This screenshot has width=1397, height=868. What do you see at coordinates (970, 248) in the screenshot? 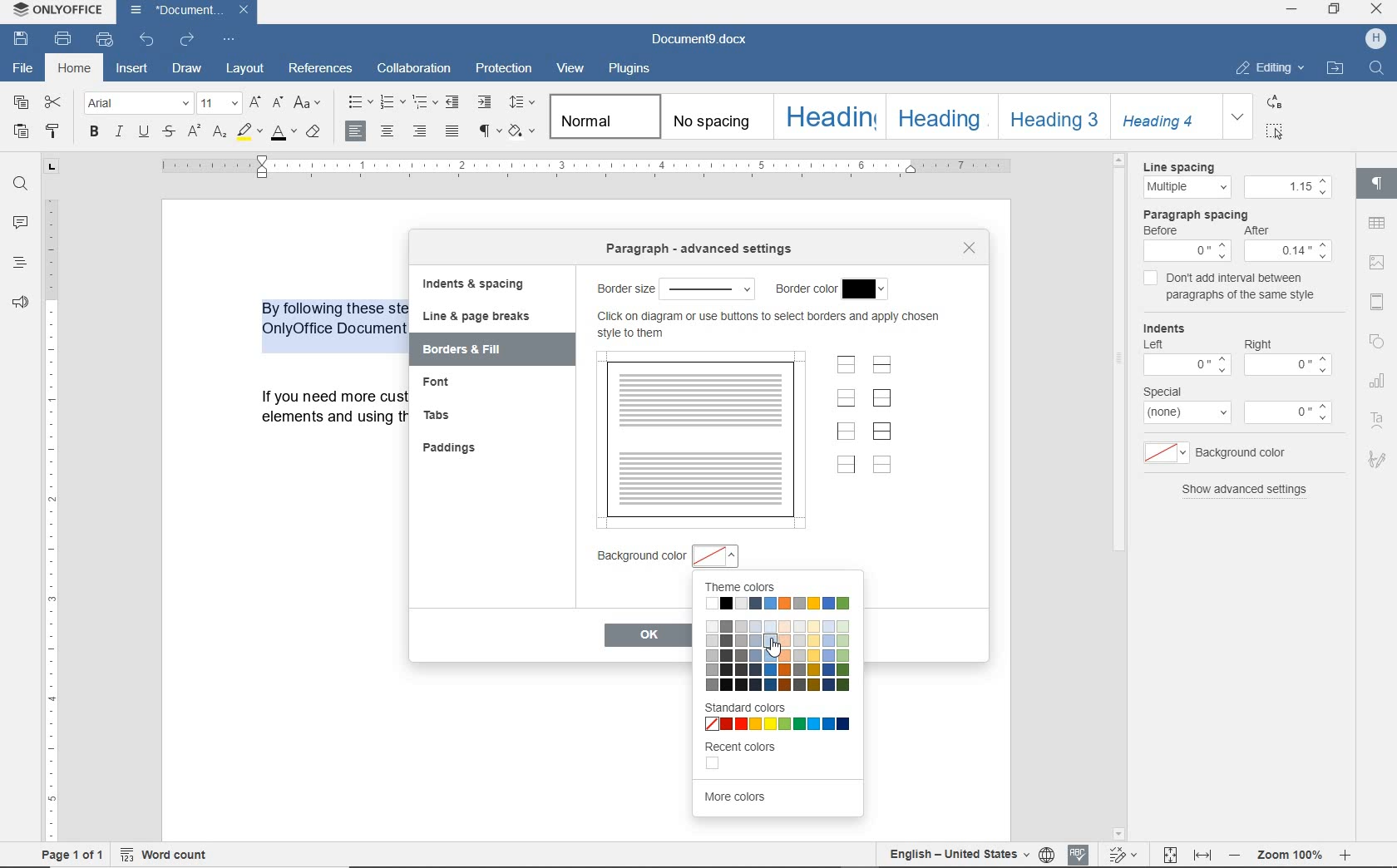
I see `close` at bounding box center [970, 248].